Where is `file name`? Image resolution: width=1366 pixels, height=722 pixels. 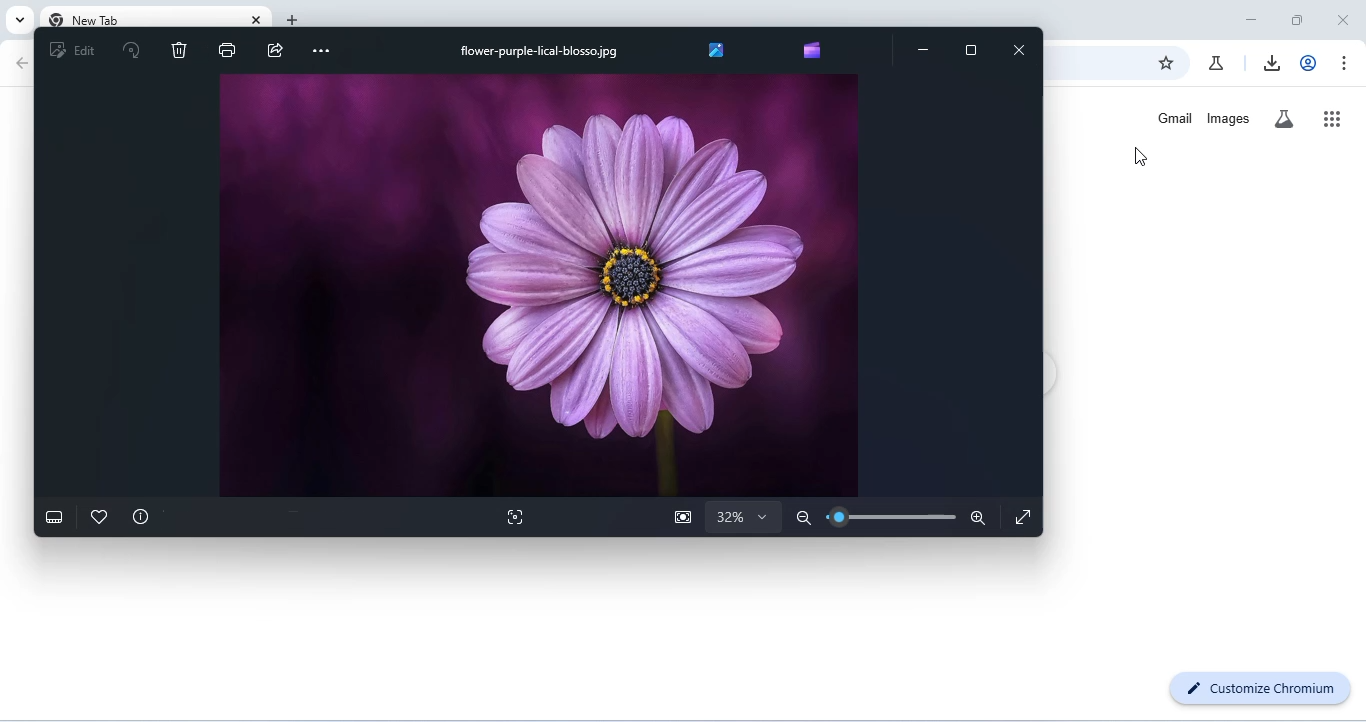
file name is located at coordinates (541, 52).